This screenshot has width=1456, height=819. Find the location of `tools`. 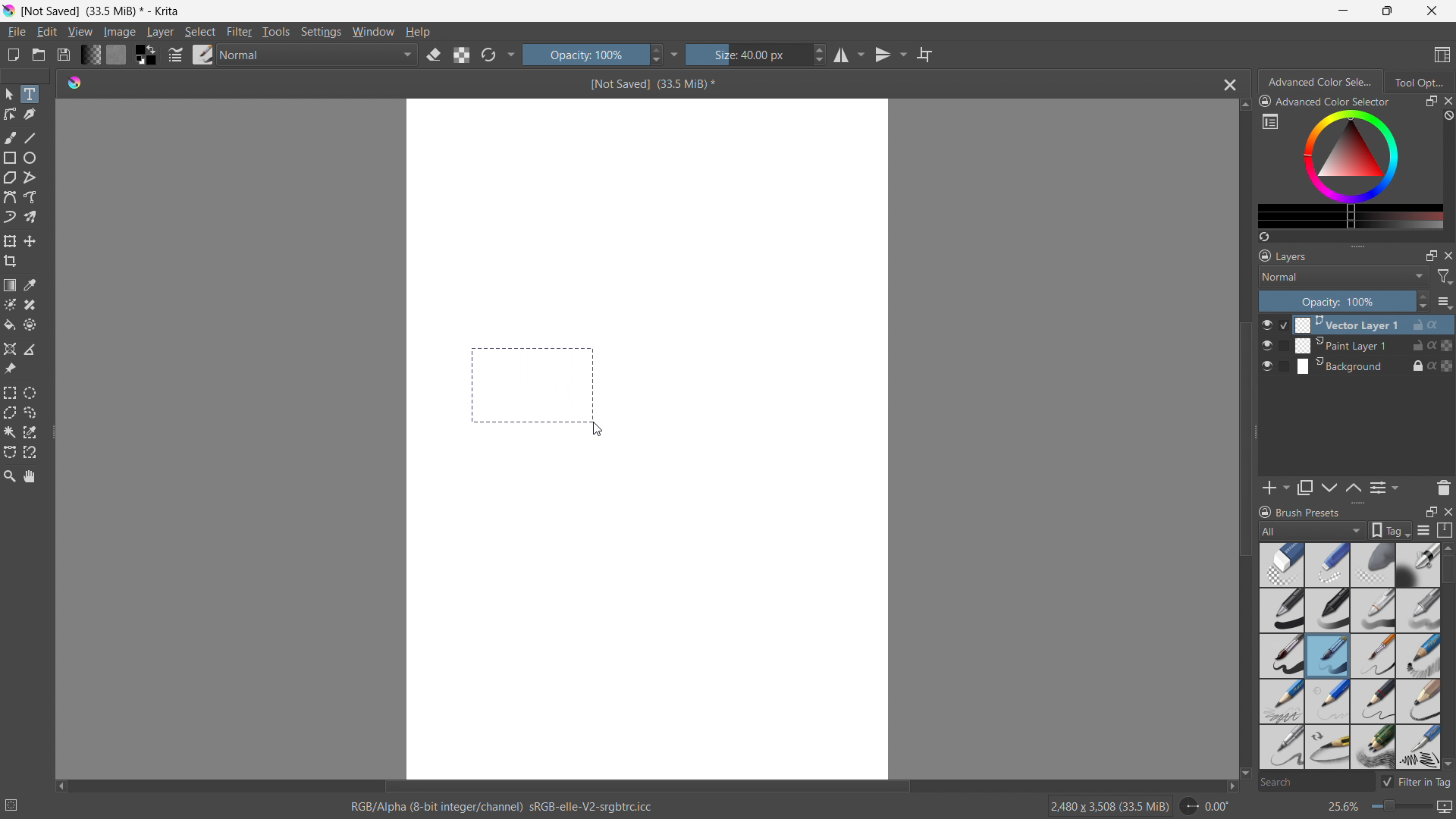

tools is located at coordinates (277, 32).